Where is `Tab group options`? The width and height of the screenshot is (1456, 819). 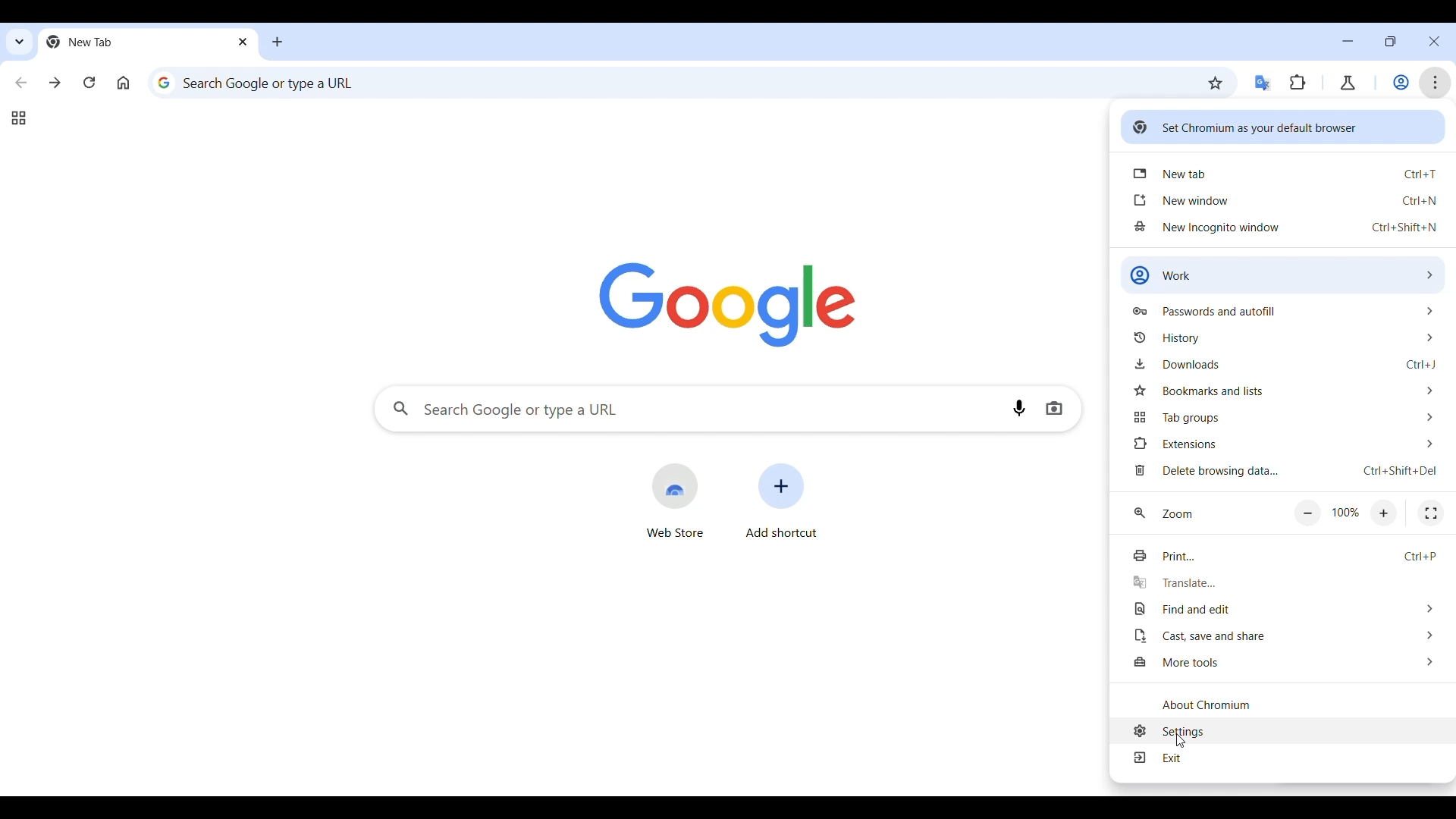 Tab group options is located at coordinates (1284, 417).